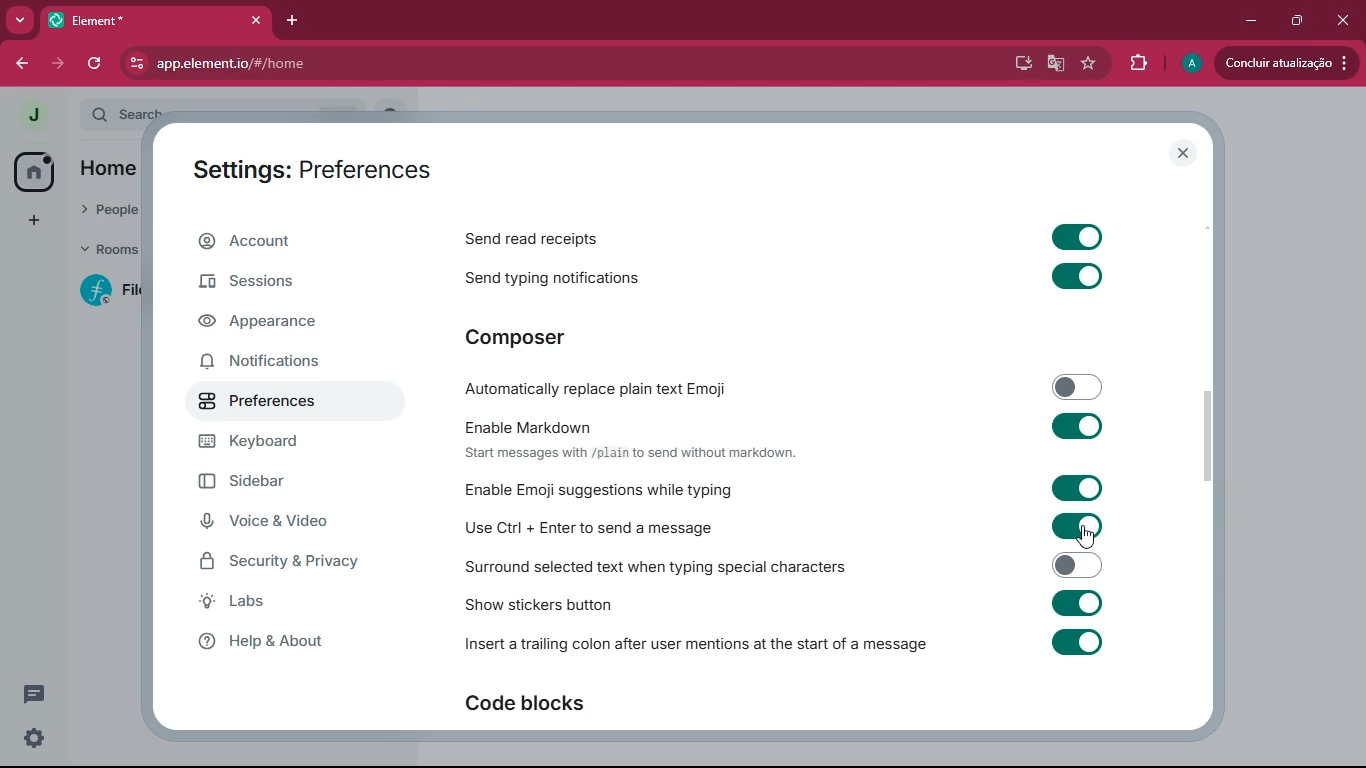 This screenshot has height=768, width=1366. Describe the element at coordinates (1190, 63) in the screenshot. I see `profile` at that location.